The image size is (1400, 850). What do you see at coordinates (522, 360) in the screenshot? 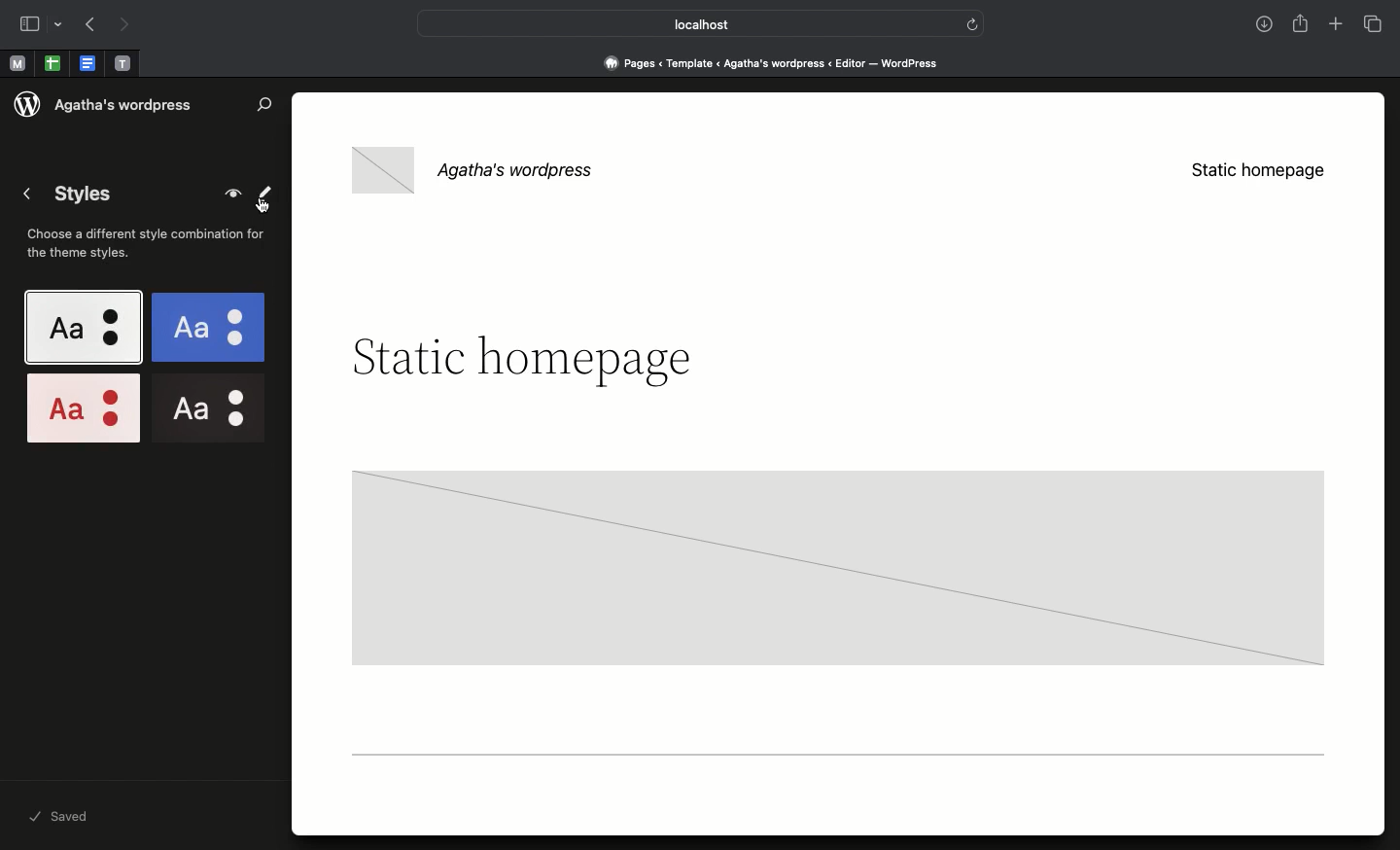
I see `Headline` at bounding box center [522, 360].